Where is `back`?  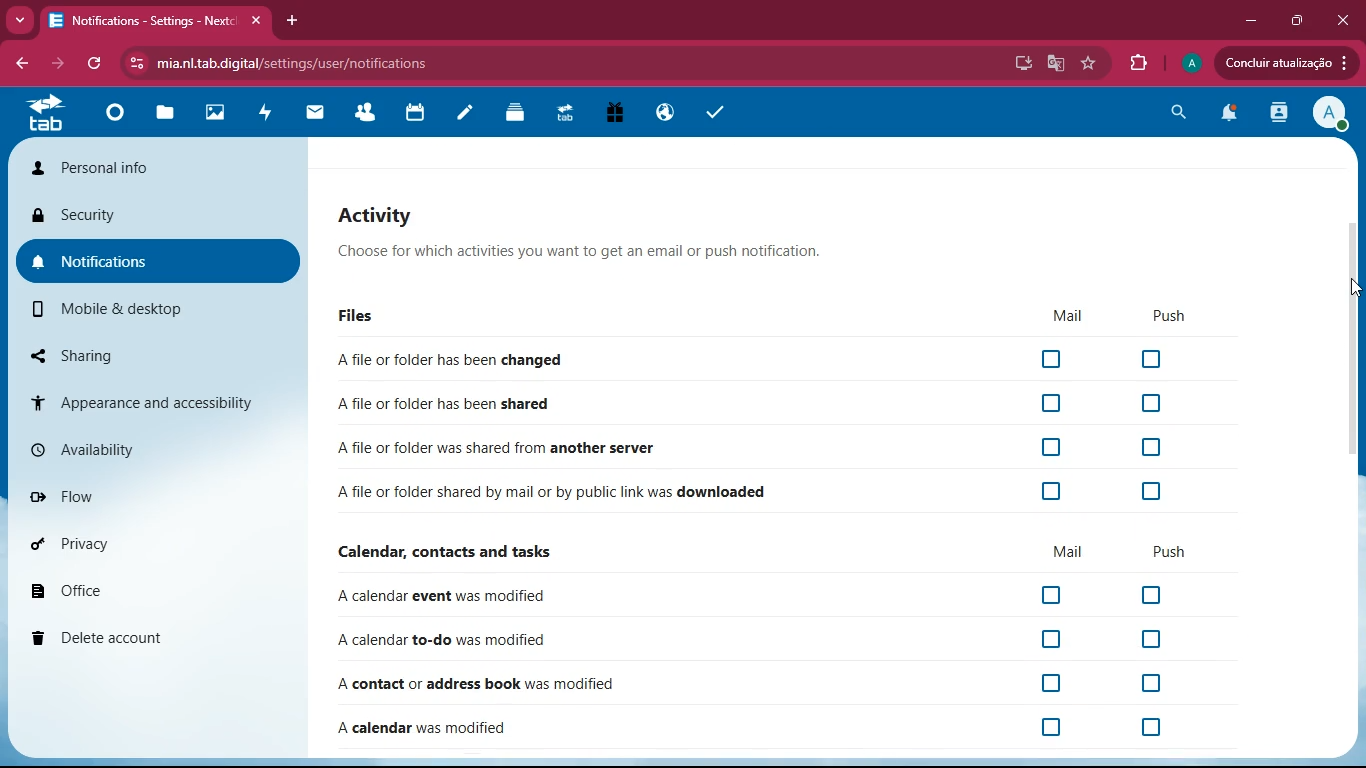
back is located at coordinates (19, 64).